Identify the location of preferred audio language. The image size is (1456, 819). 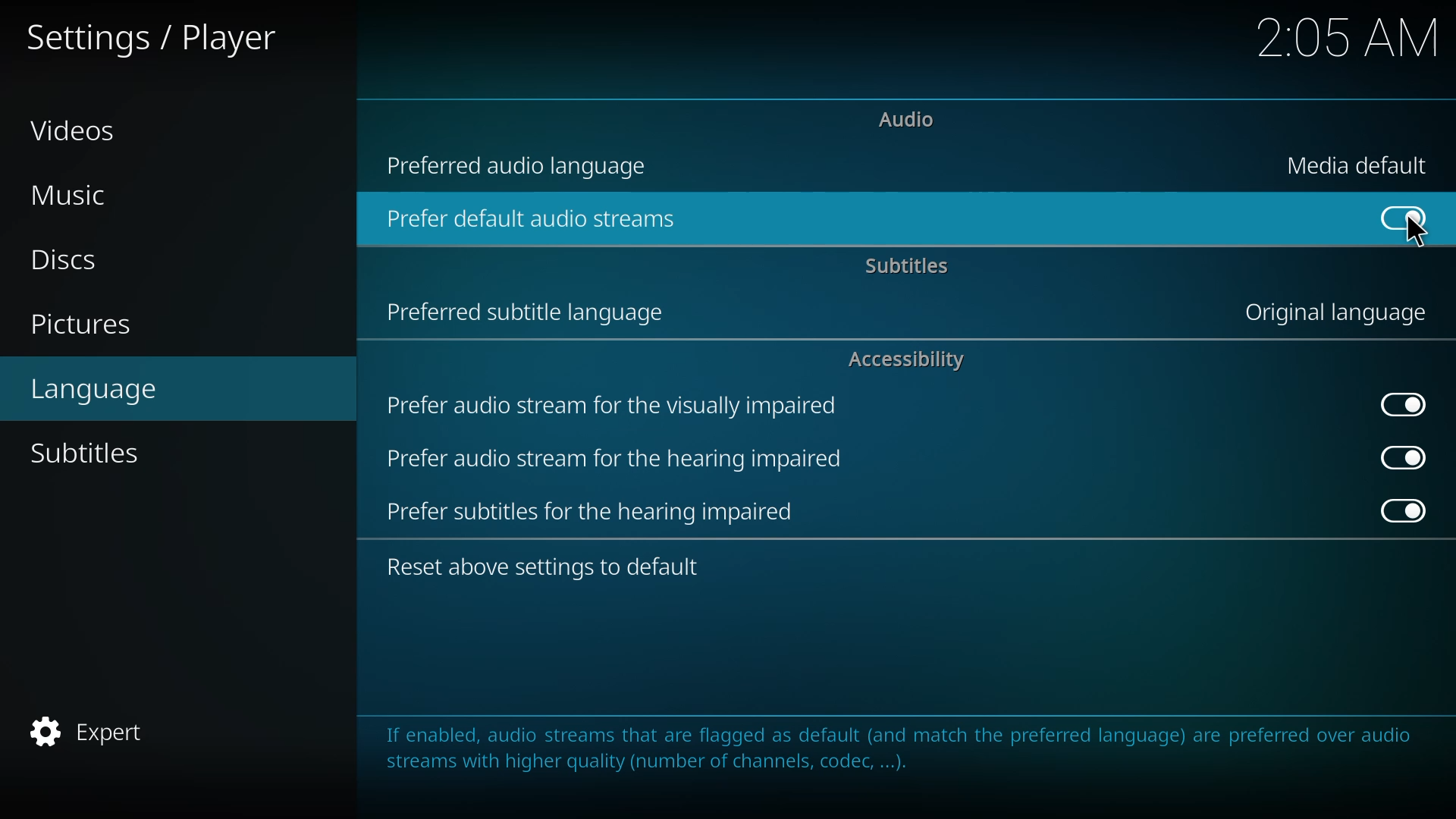
(525, 164).